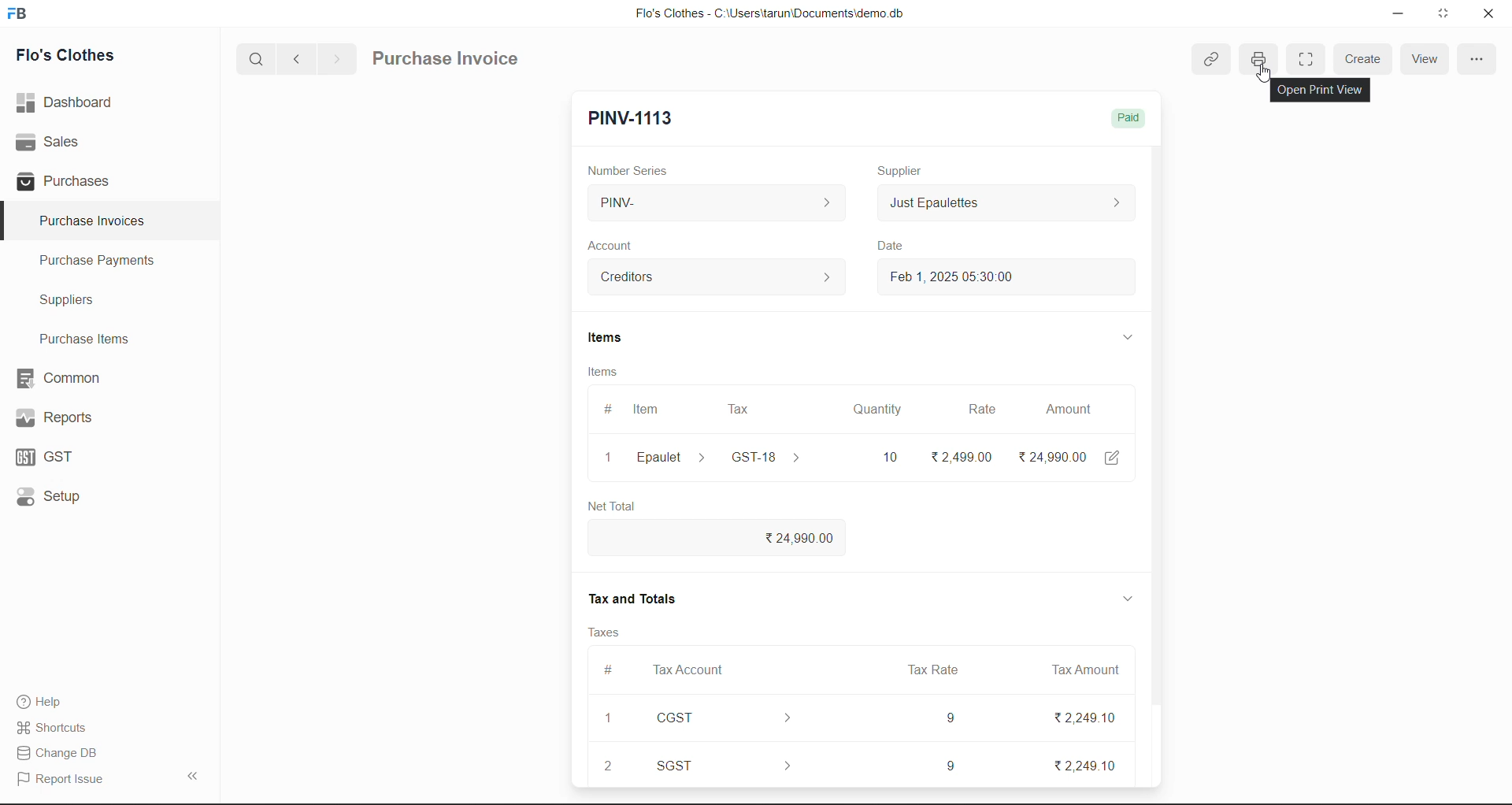  I want to click on 9, so click(947, 764).